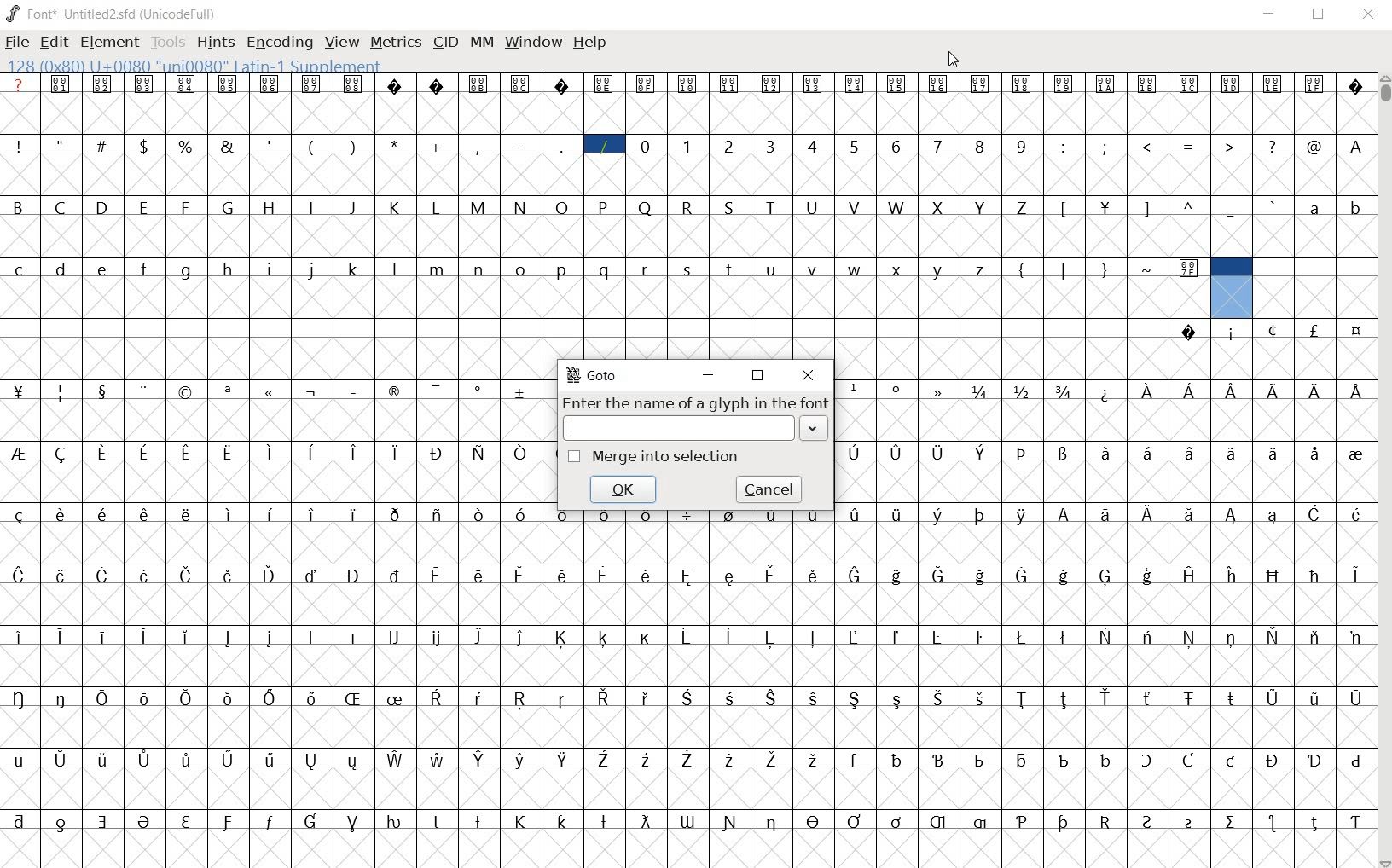 This screenshot has height=868, width=1392. Describe the element at coordinates (314, 391) in the screenshot. I see `Symbol` at that location.